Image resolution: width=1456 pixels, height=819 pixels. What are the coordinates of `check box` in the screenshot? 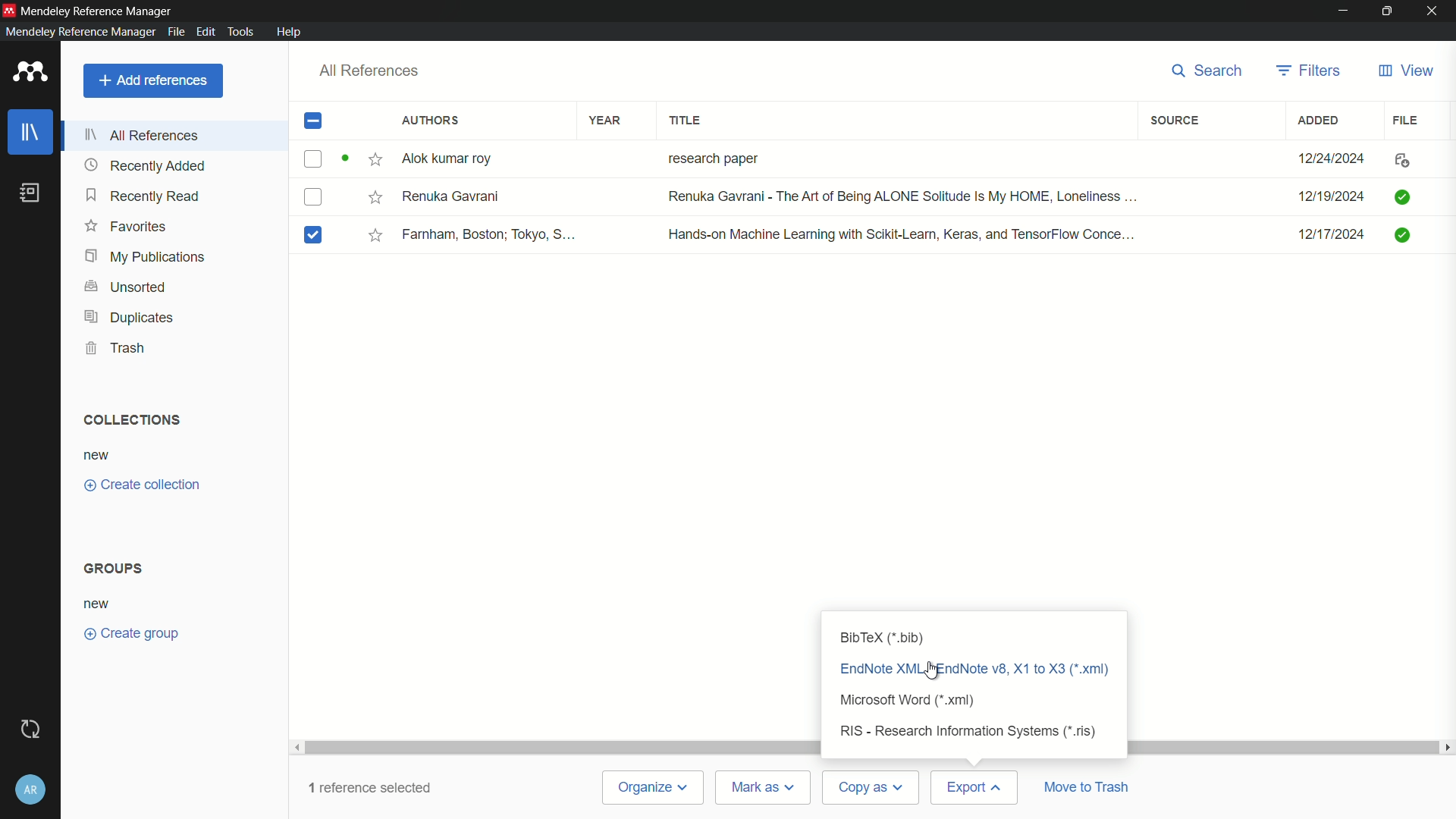 It's located at (317, 121).